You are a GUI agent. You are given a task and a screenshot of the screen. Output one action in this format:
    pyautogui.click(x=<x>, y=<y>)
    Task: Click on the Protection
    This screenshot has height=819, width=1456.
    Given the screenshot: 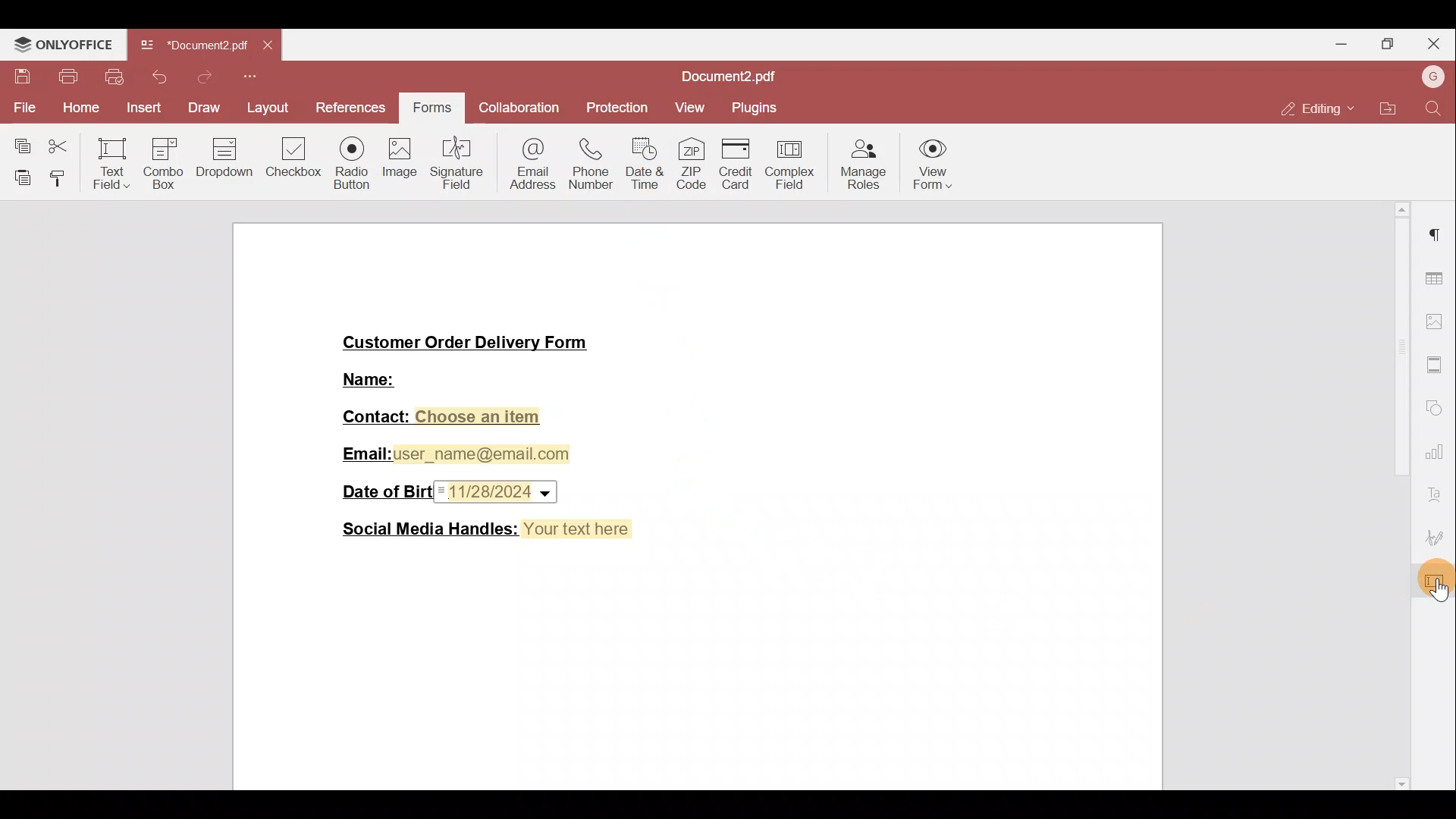 What is the action you would take?
    pyautogui.click(x=622, y=108)
    